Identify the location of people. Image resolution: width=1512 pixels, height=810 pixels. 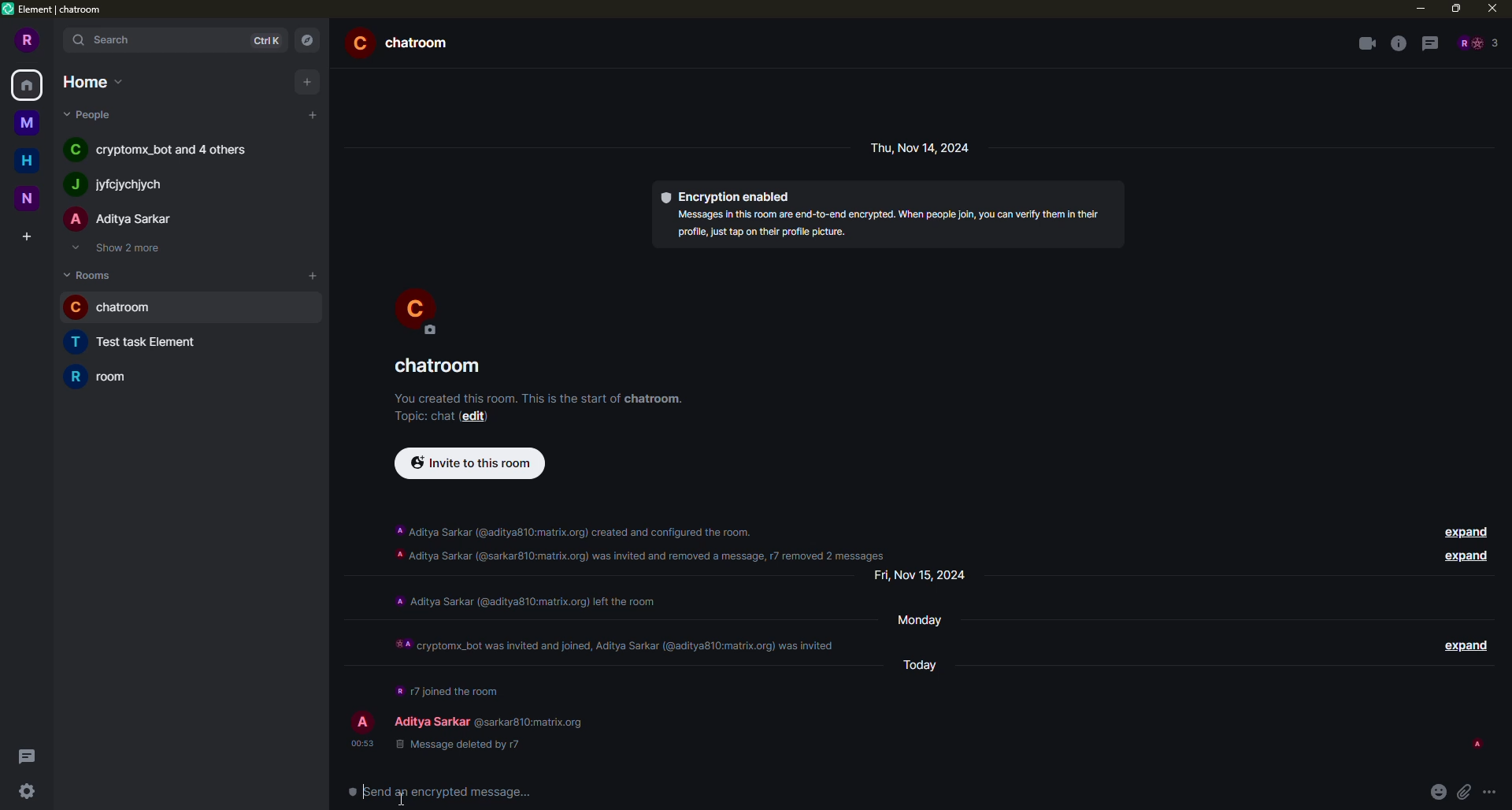
(164, 151).